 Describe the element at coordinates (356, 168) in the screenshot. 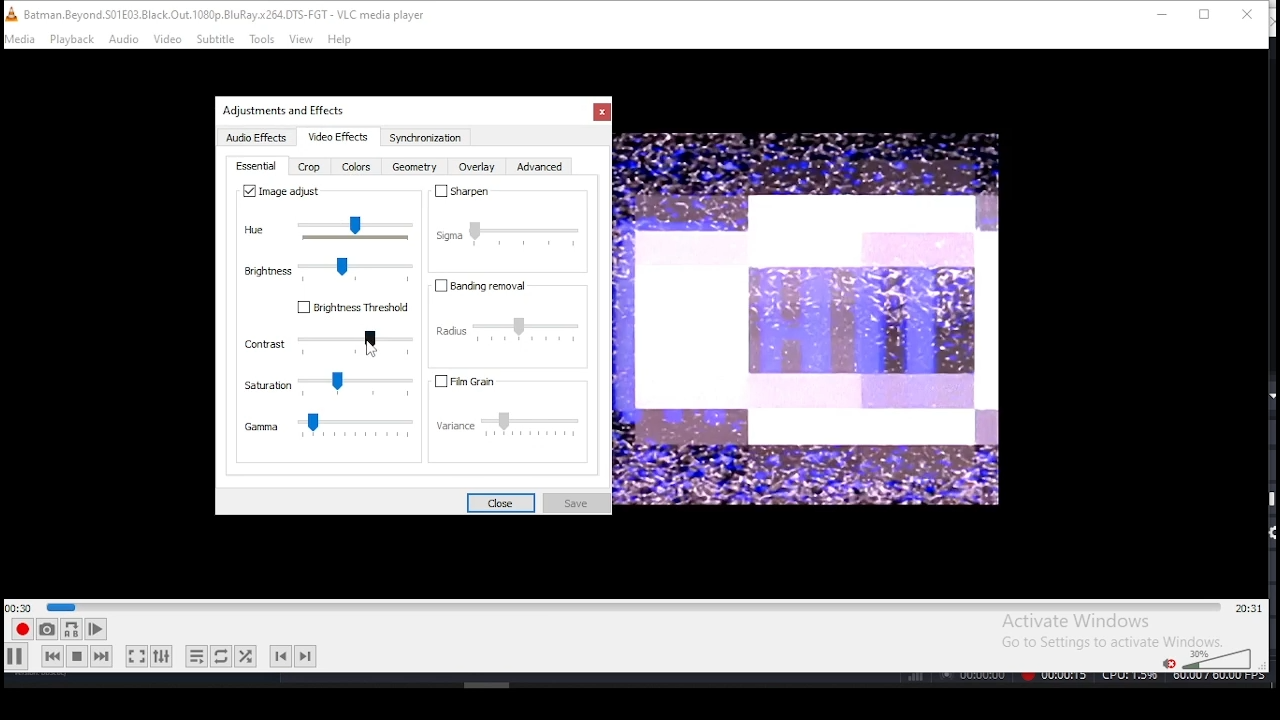

I see `color` at that location.